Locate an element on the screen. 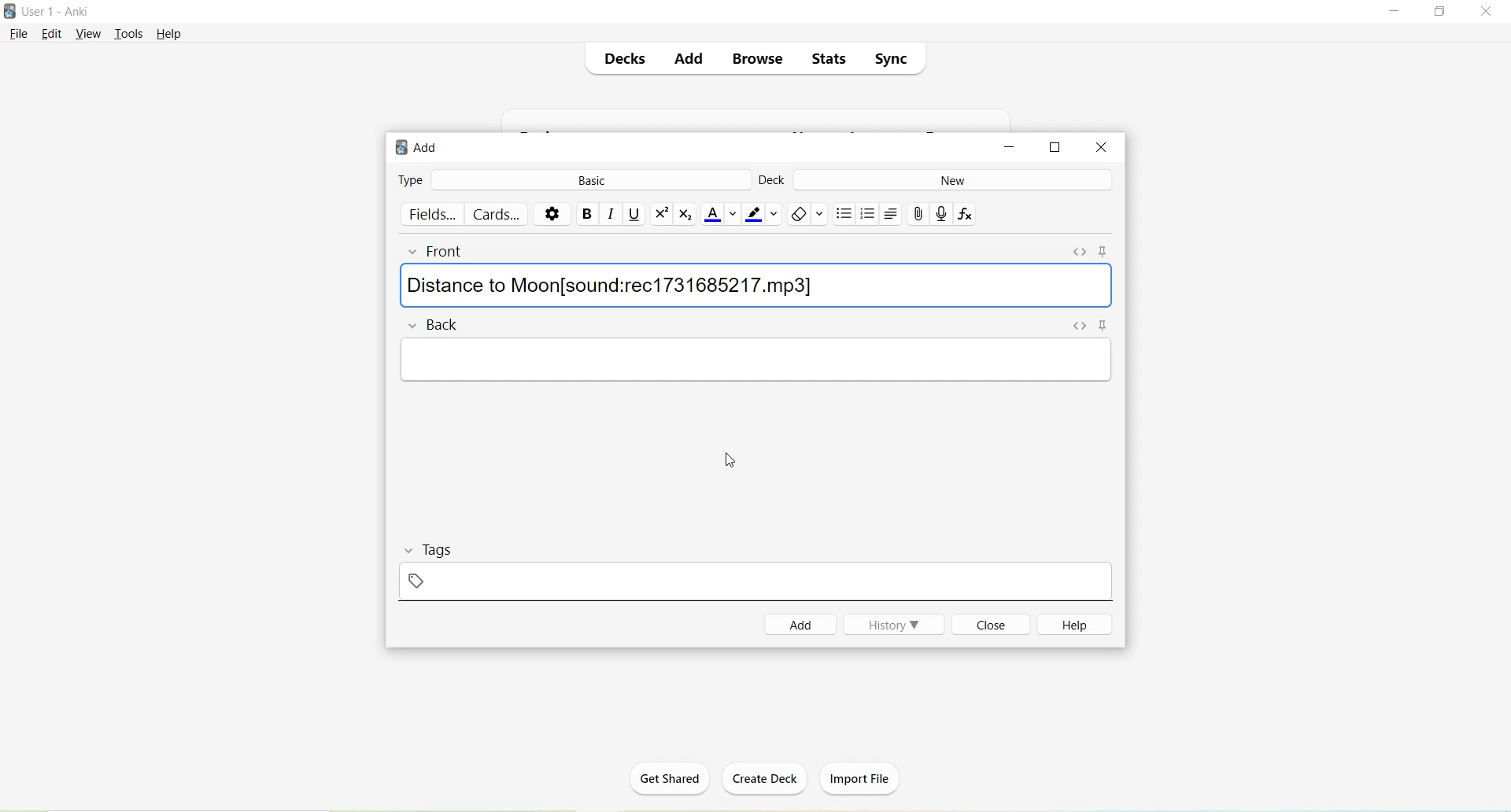 Image resolution: width=1511 pixels, height=812 pixels. Distance to Moon is located at coordinates (481, 283).